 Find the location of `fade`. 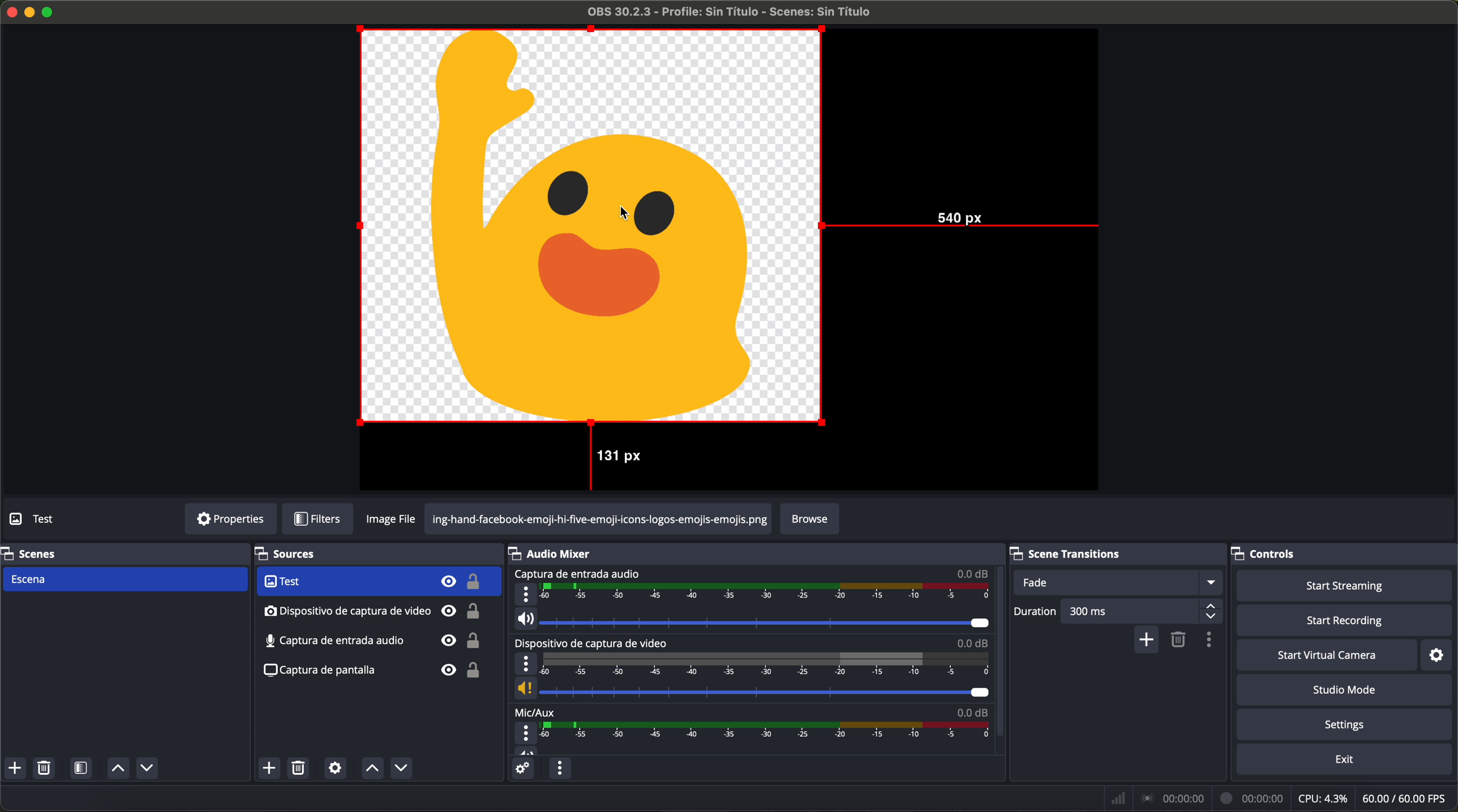

fade is located at coordinates (1116, 582).